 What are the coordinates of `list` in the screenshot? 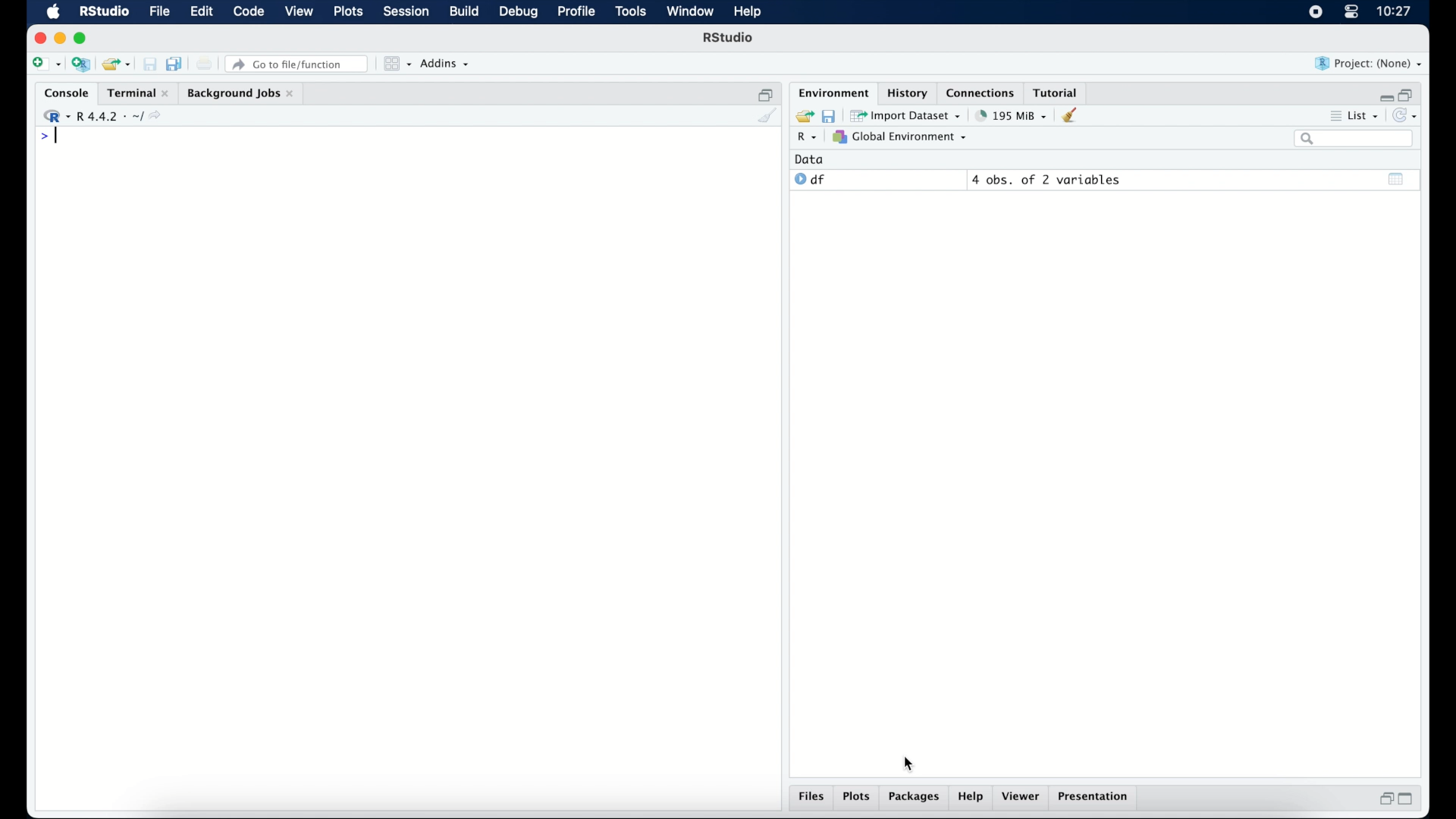 It's located at (1353, 118).